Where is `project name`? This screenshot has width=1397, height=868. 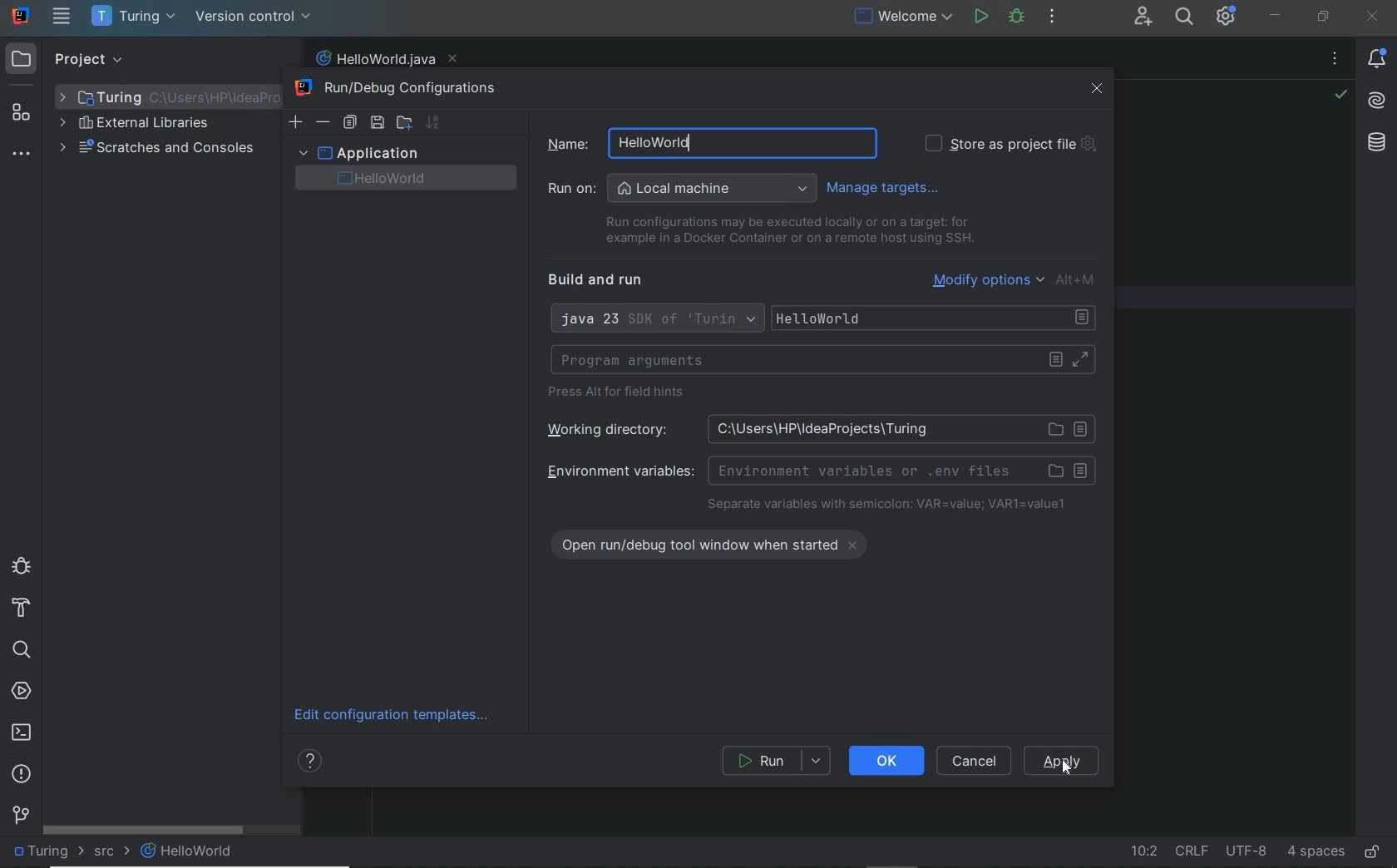
project name is located at coordinates (136, 17).